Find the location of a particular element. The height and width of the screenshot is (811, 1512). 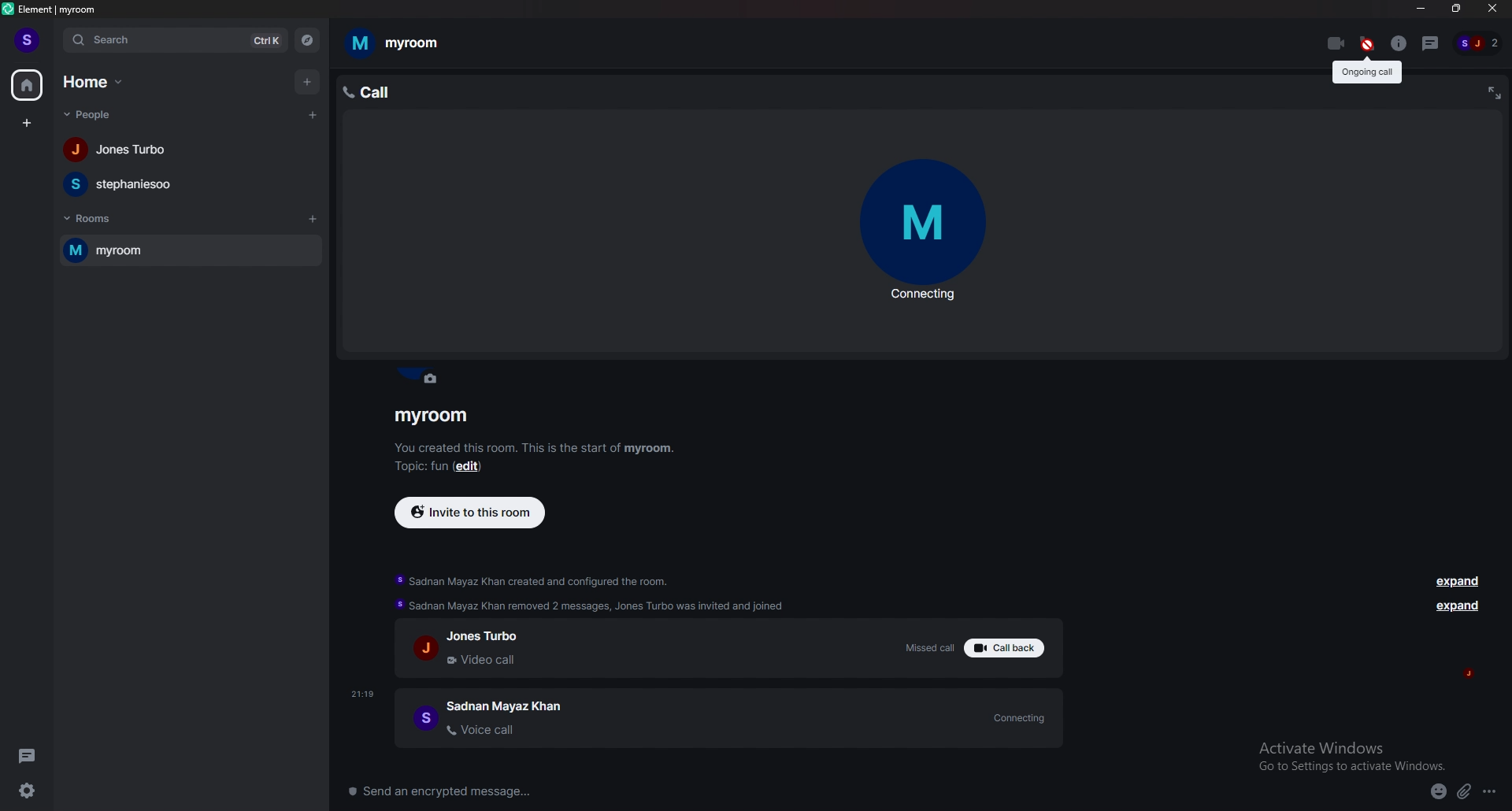

myroom is located at coordinates (163, 251).